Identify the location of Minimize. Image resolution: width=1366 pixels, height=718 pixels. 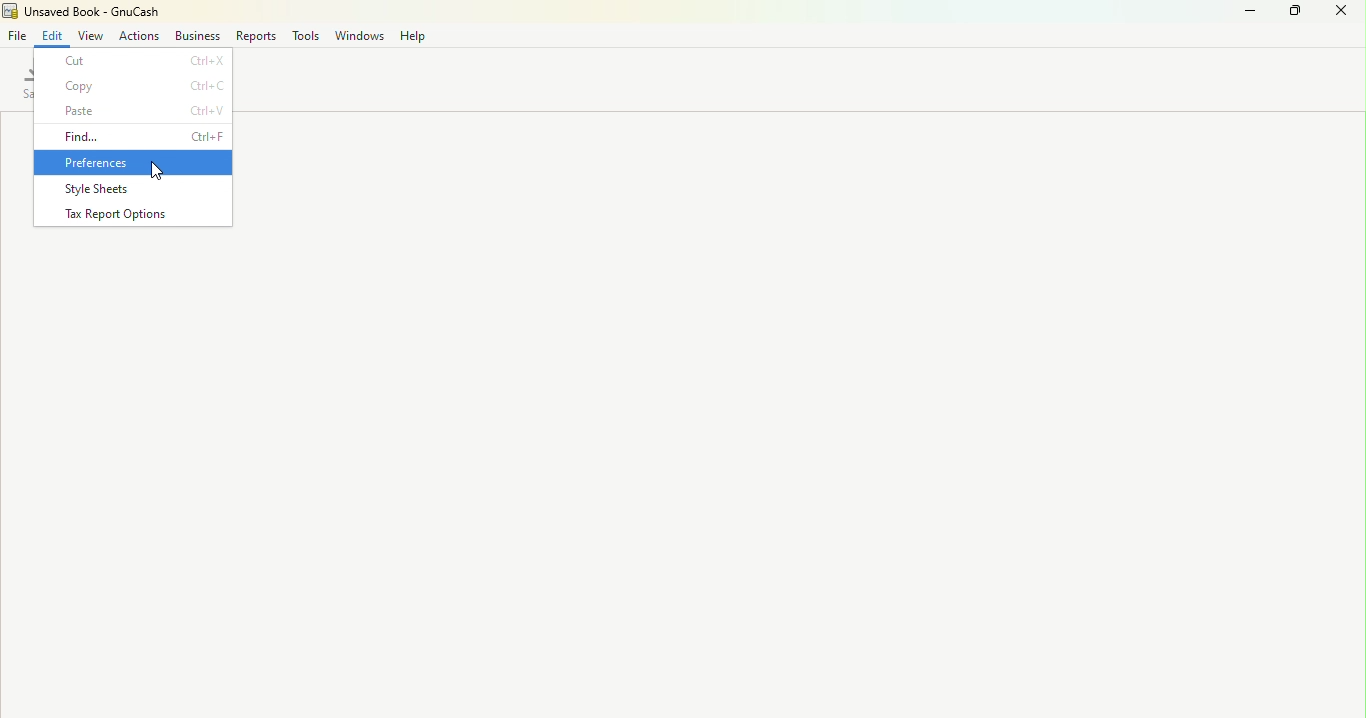
(1248, 18).